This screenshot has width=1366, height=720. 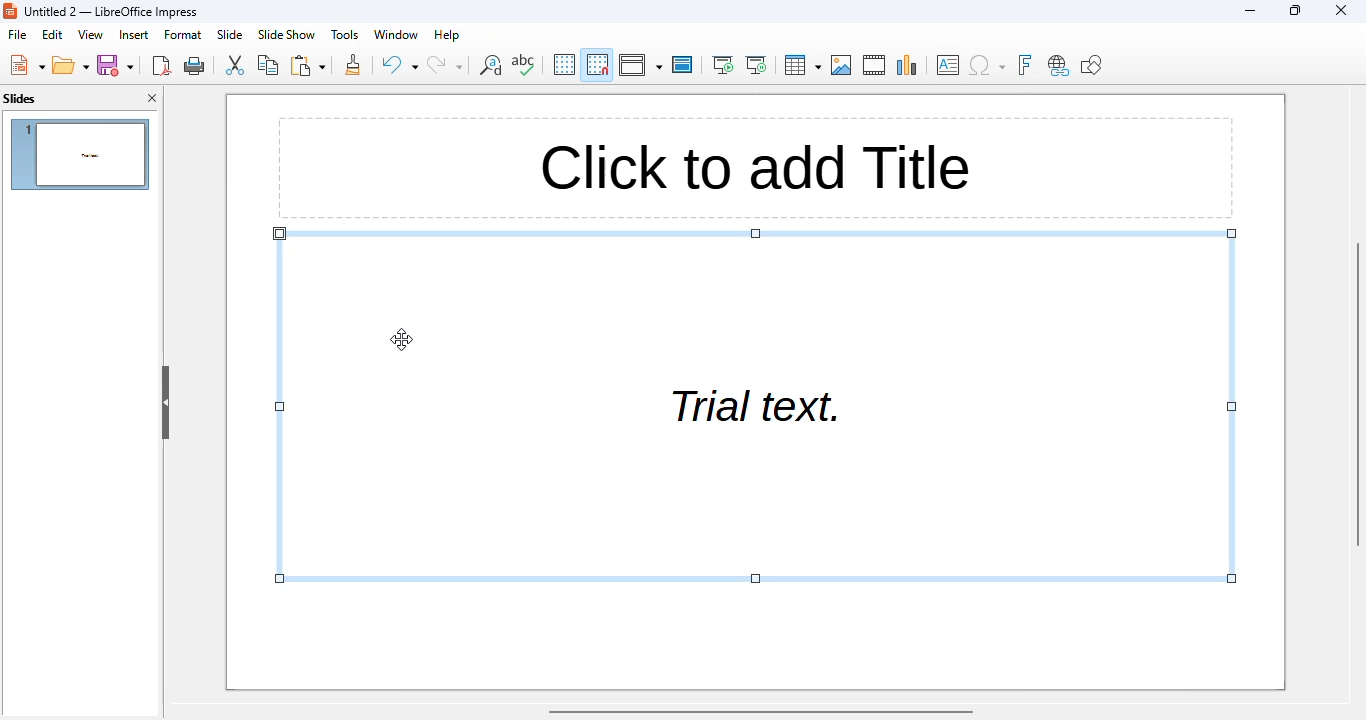 What do you see at coordinates (307, 65) in the screenshot?
I see `paste` at bounding box center [307, 65].